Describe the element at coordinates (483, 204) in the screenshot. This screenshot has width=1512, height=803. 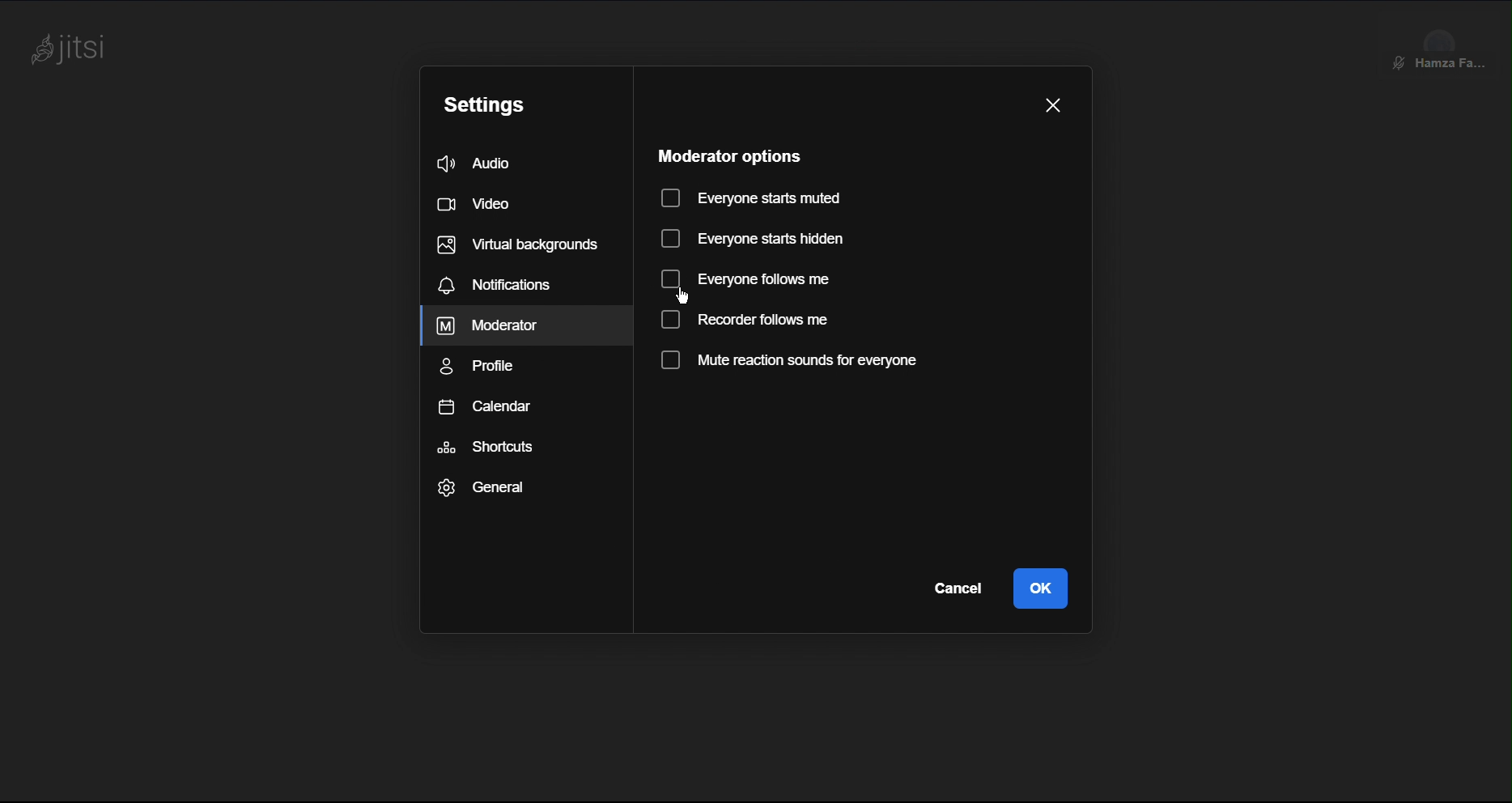
I see `Video` at that location.